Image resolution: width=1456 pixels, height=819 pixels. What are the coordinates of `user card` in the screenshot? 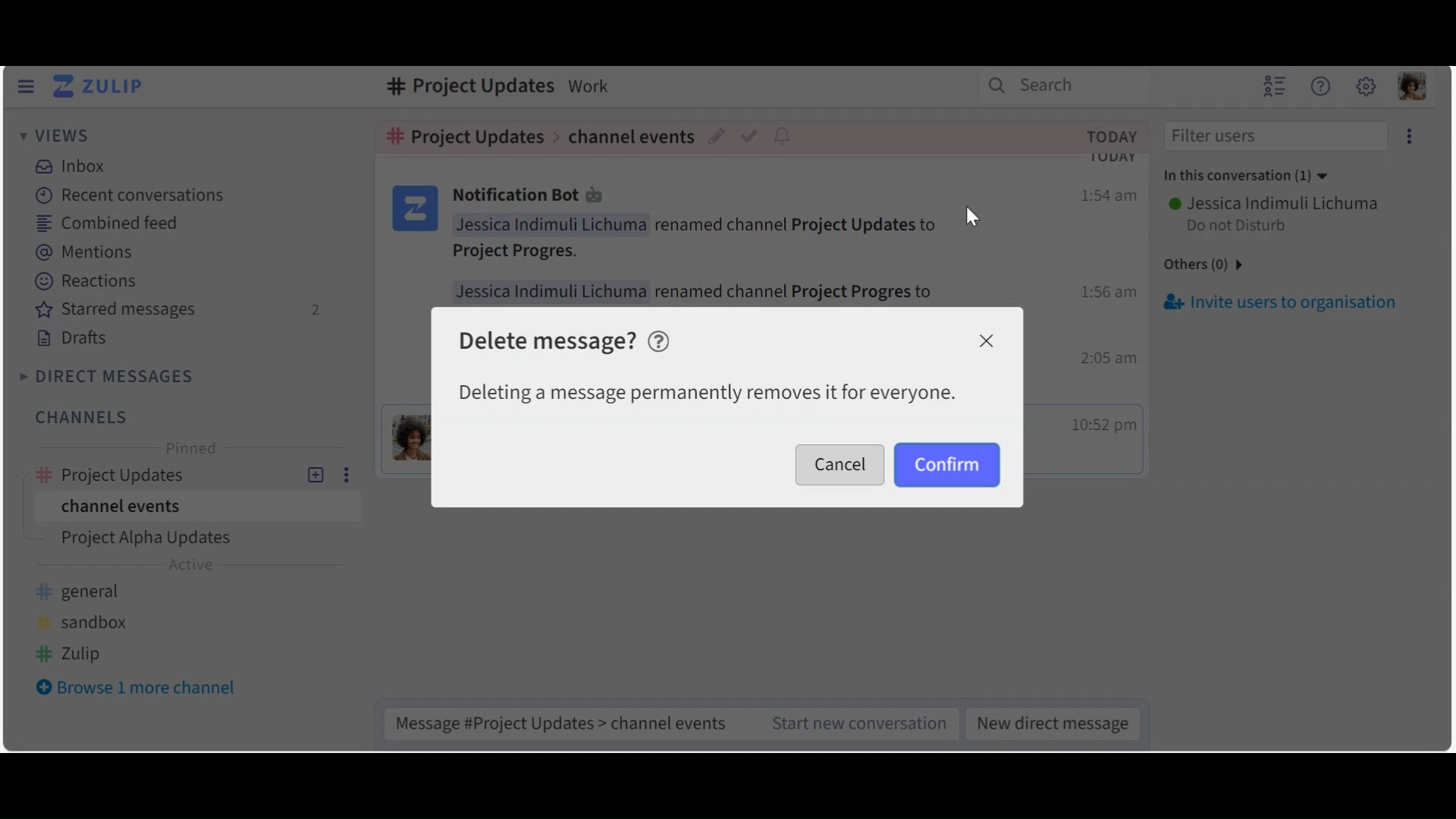 It's located at (413, 209).